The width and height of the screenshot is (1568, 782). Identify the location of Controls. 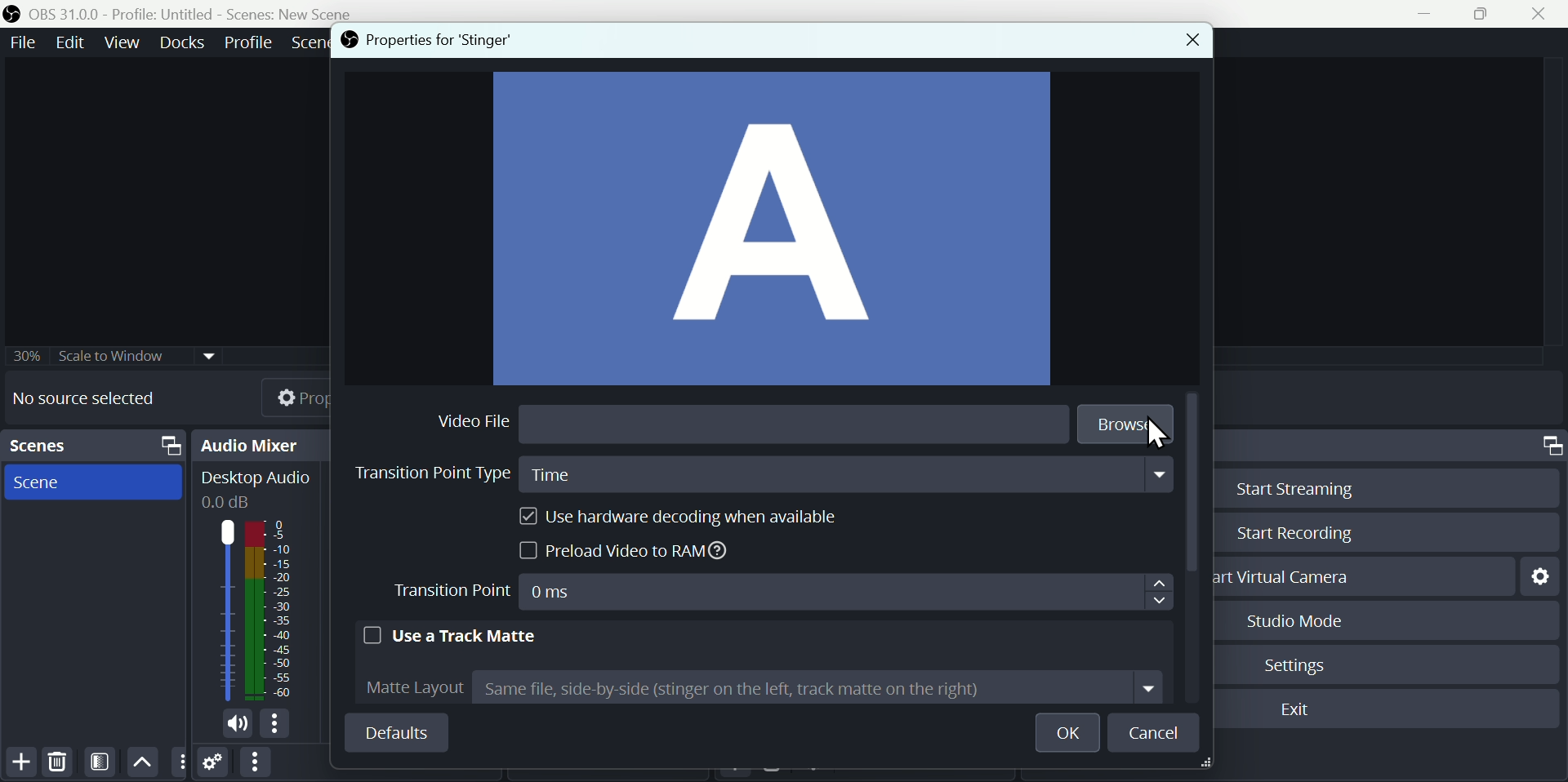
(1549, 446).